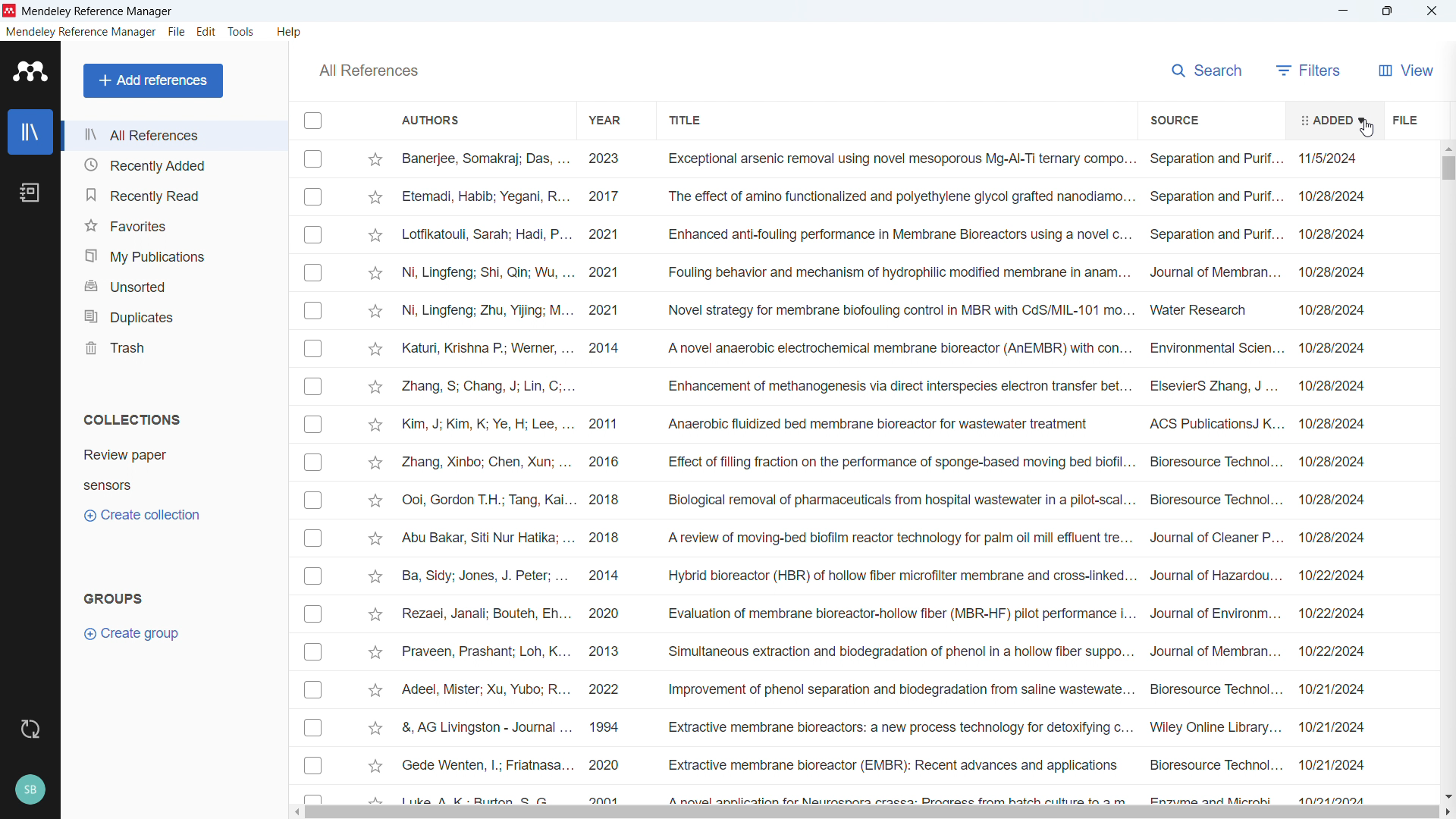  Describe the element at coordinates (290, 32) in the screenshot. I see `help` at that location.